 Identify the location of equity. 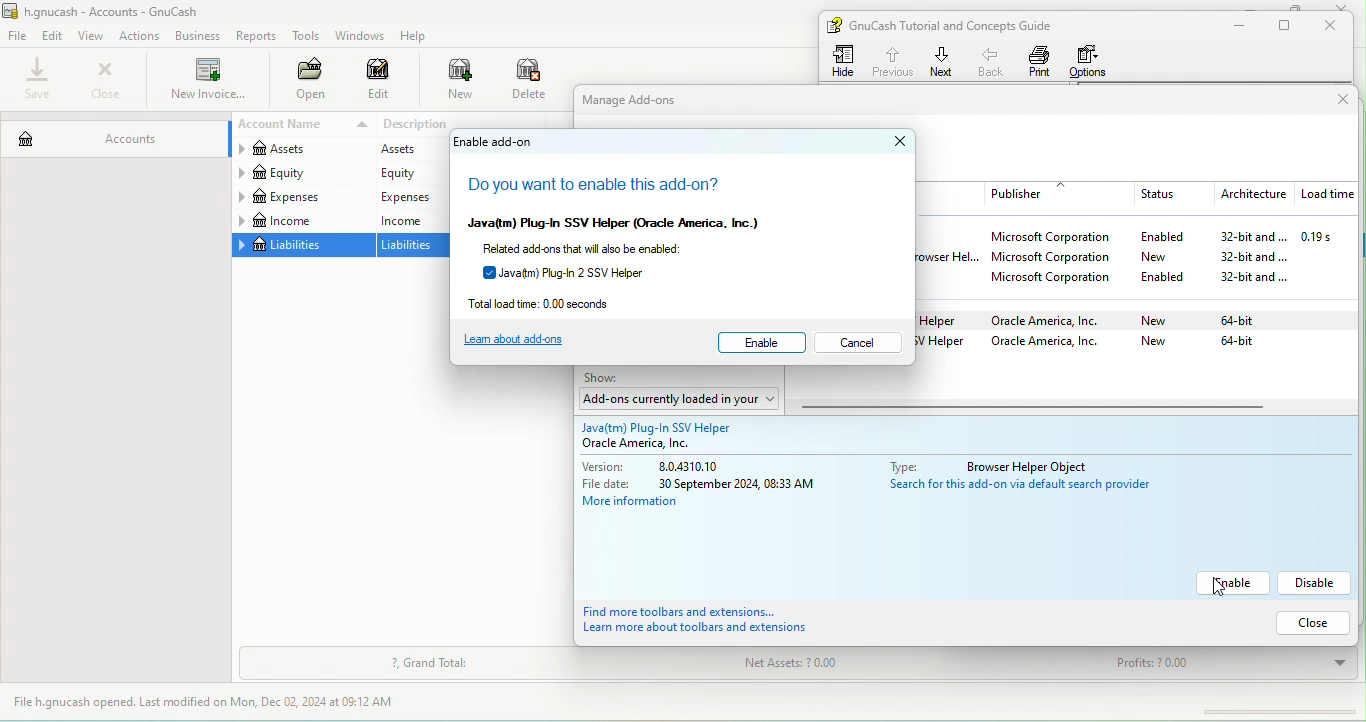
(417, 173).